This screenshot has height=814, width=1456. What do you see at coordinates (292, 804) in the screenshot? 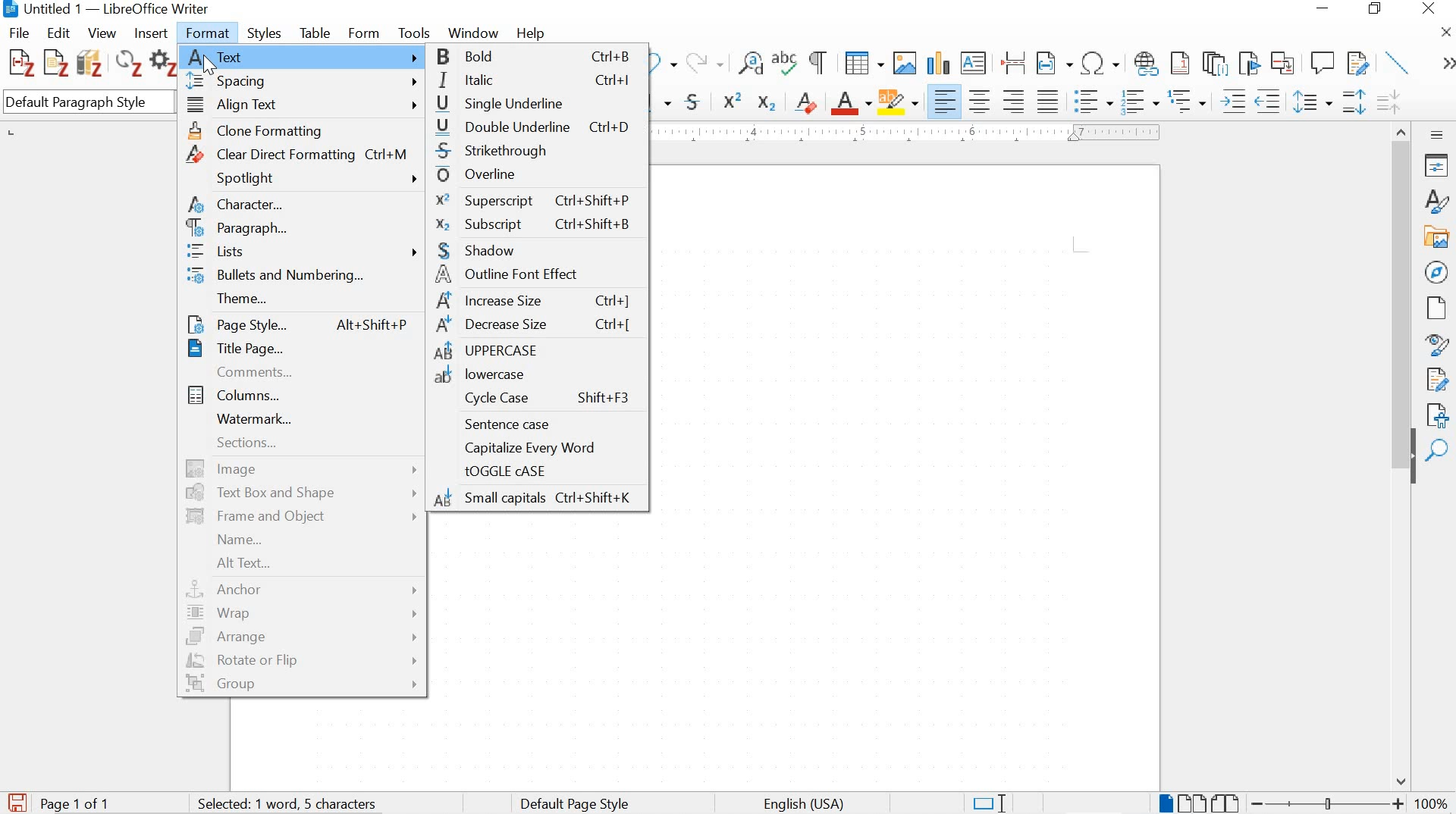
I see `1 word and 5 character ` at bounding box center [292, 804].